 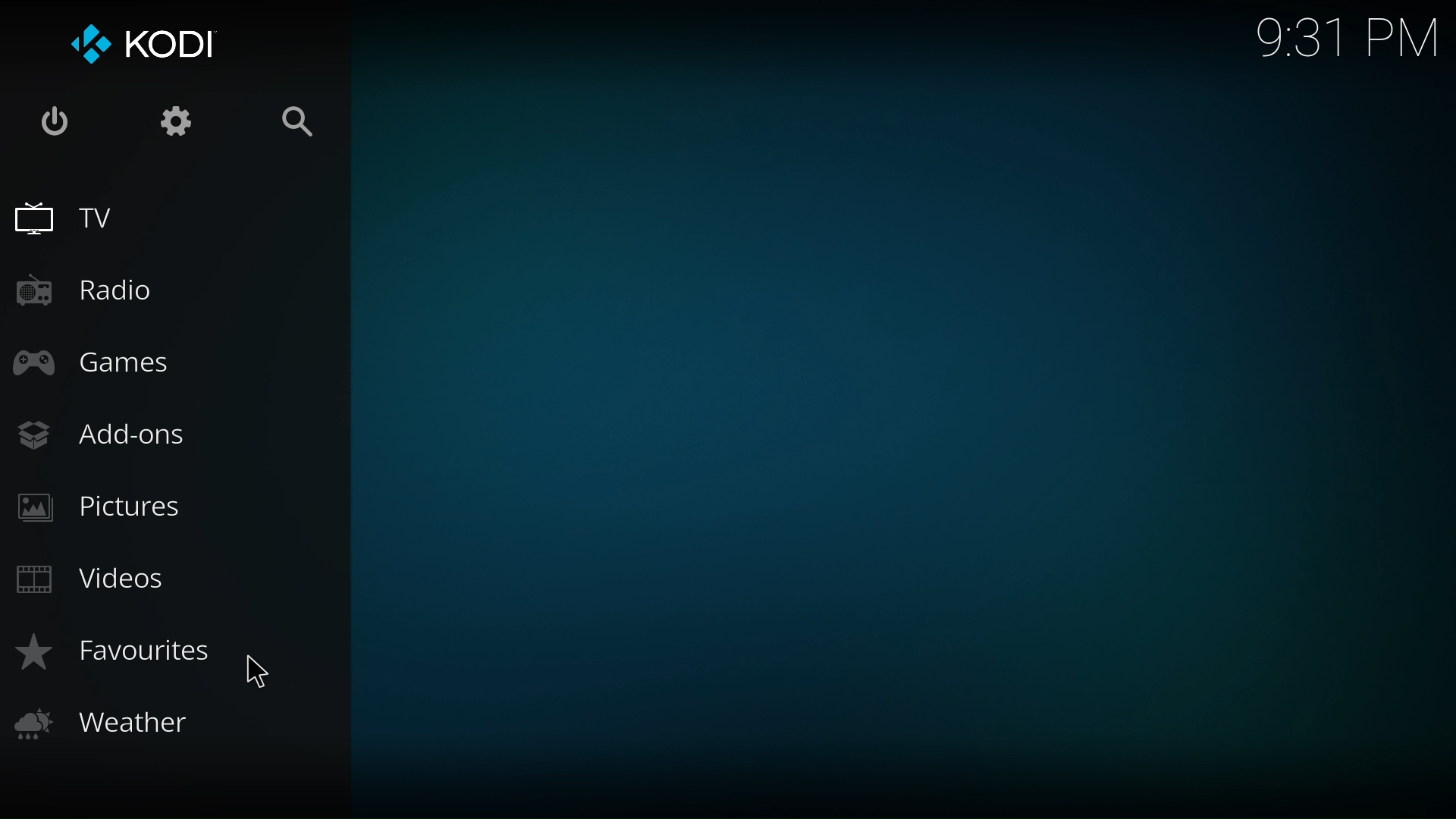 I want to click on weather, so click(x=110, y=725).